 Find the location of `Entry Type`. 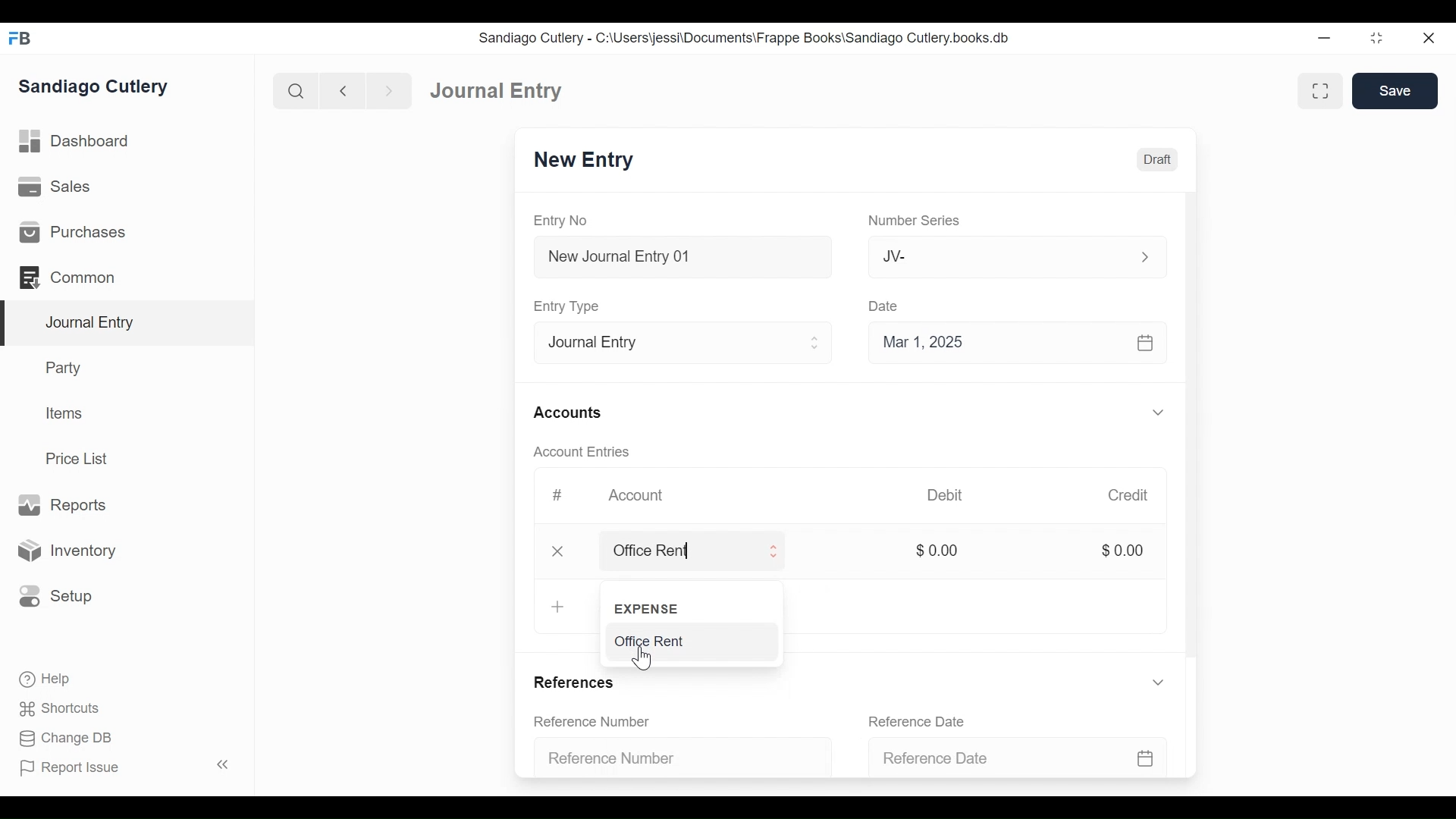

Entry Type is located at coordinates (678, 340).